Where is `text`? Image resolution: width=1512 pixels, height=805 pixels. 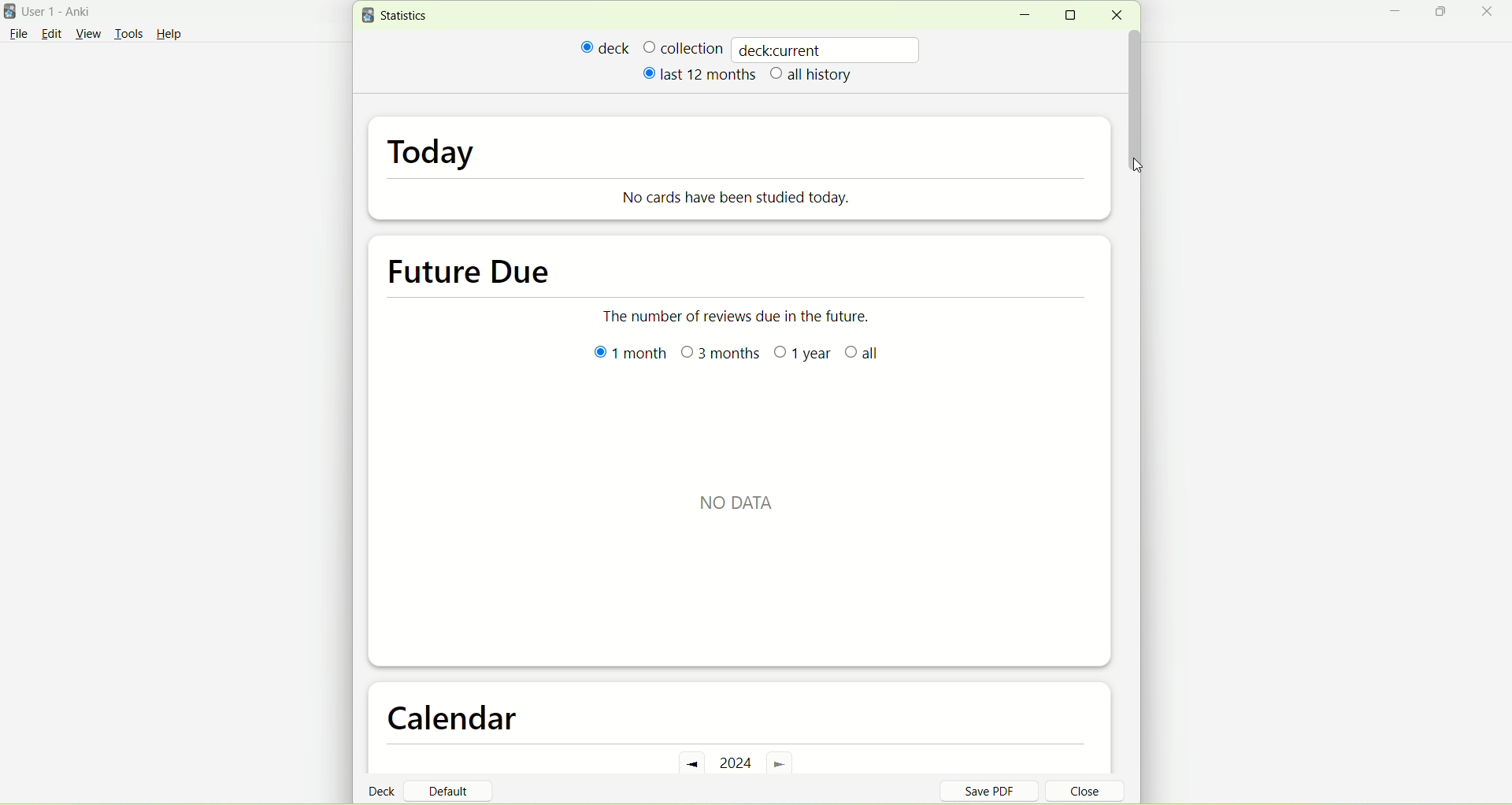 text is located at coordinates (743, 506).